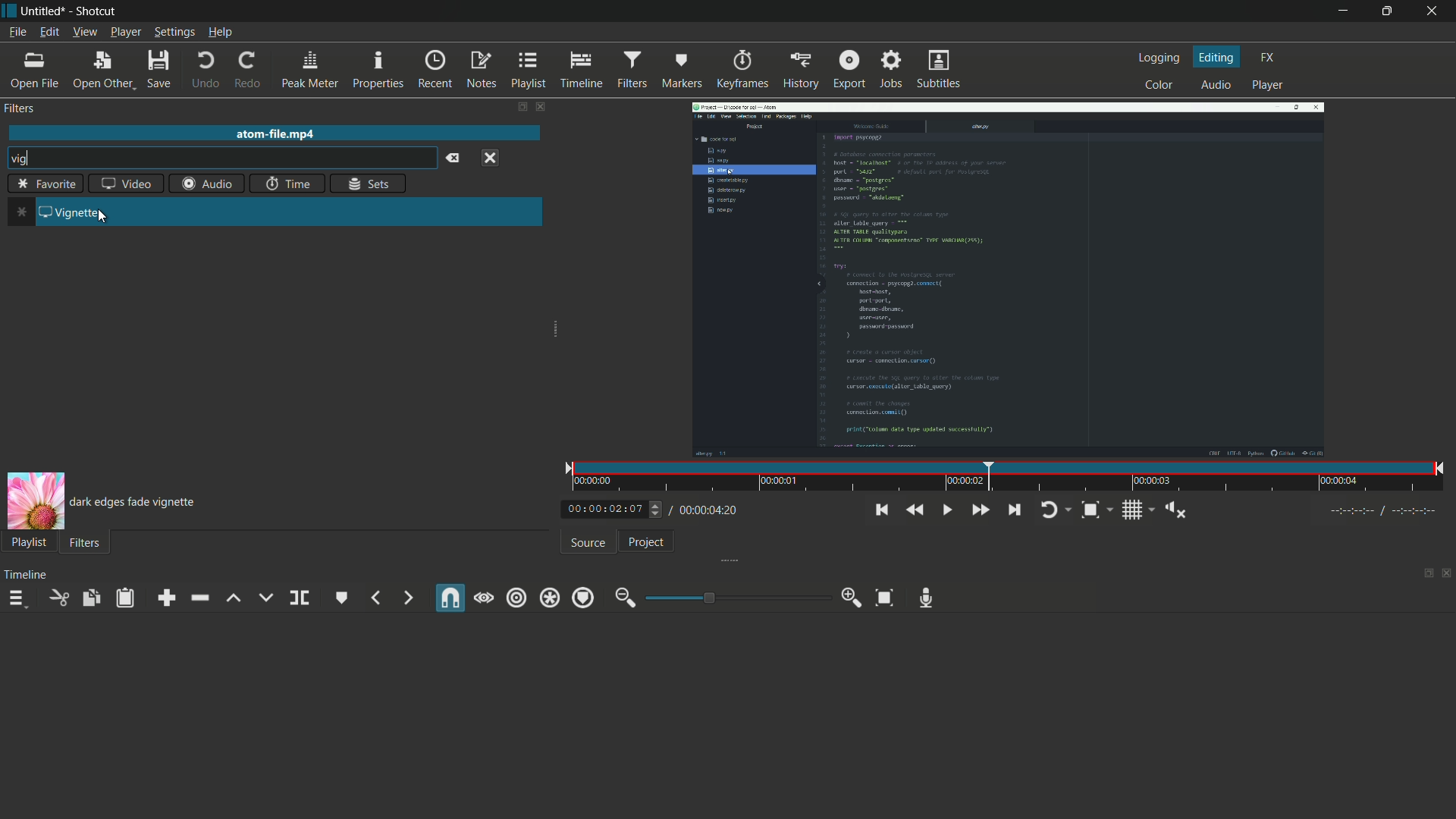 The width and height of the screenshot is (1456, 819). What do you see at coordinates (234, 598) in the screenshot?
I see `lift` at bounding box center [234, 598].